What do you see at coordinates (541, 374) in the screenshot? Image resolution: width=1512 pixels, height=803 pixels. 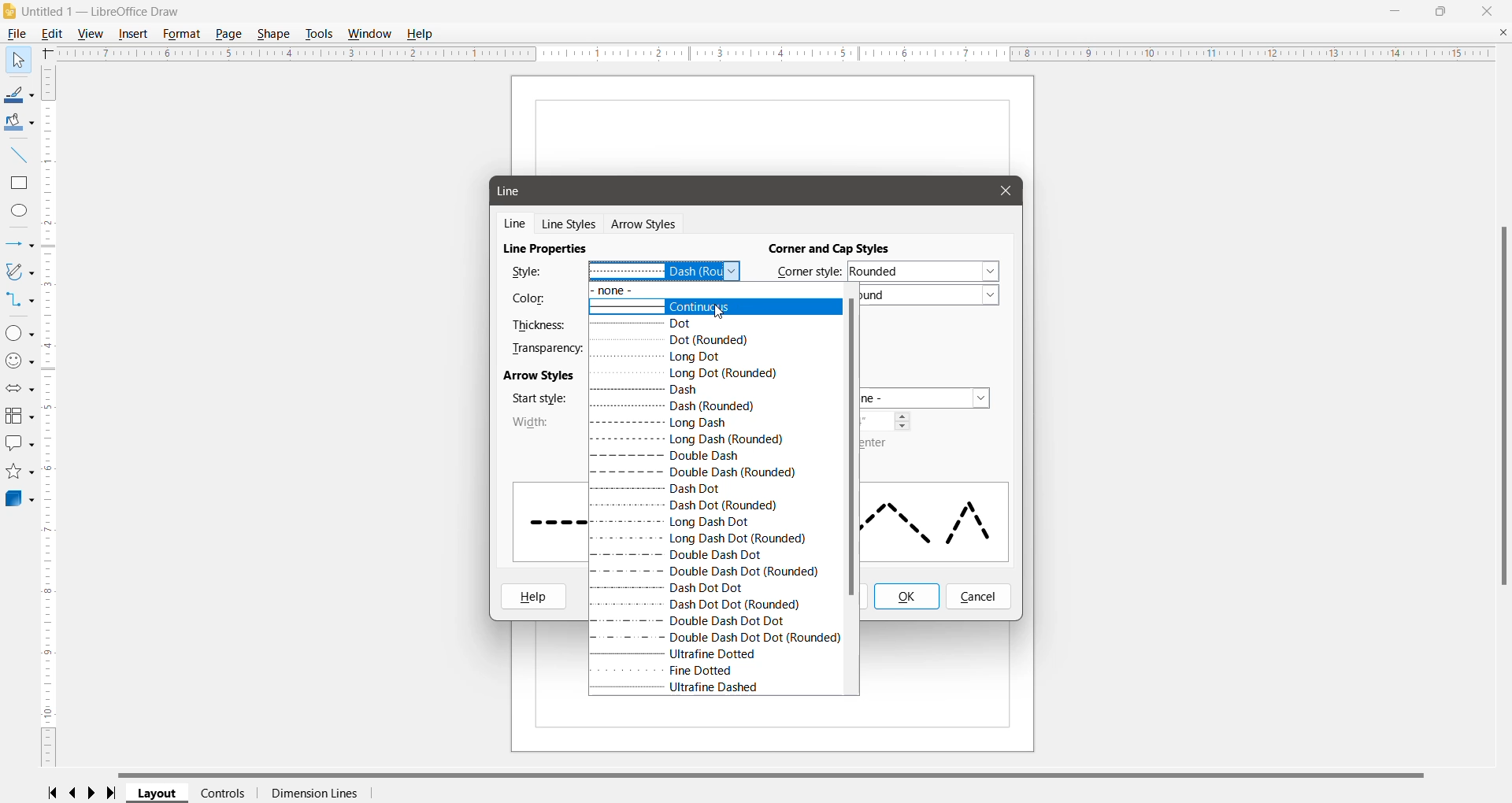 I see `Arrow Styles` at bounding box center [541, 374].